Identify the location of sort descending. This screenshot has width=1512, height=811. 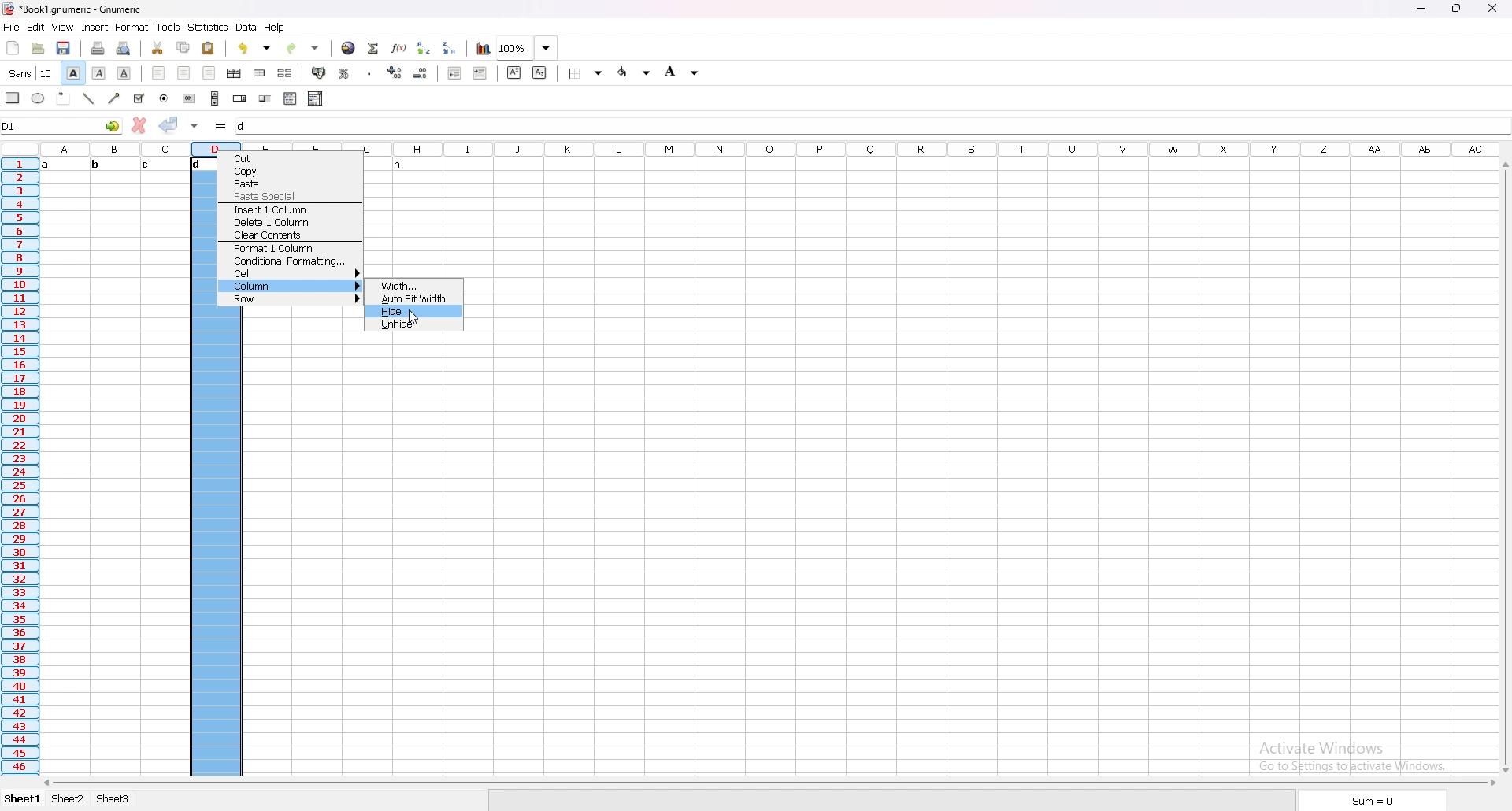
(450, 47).